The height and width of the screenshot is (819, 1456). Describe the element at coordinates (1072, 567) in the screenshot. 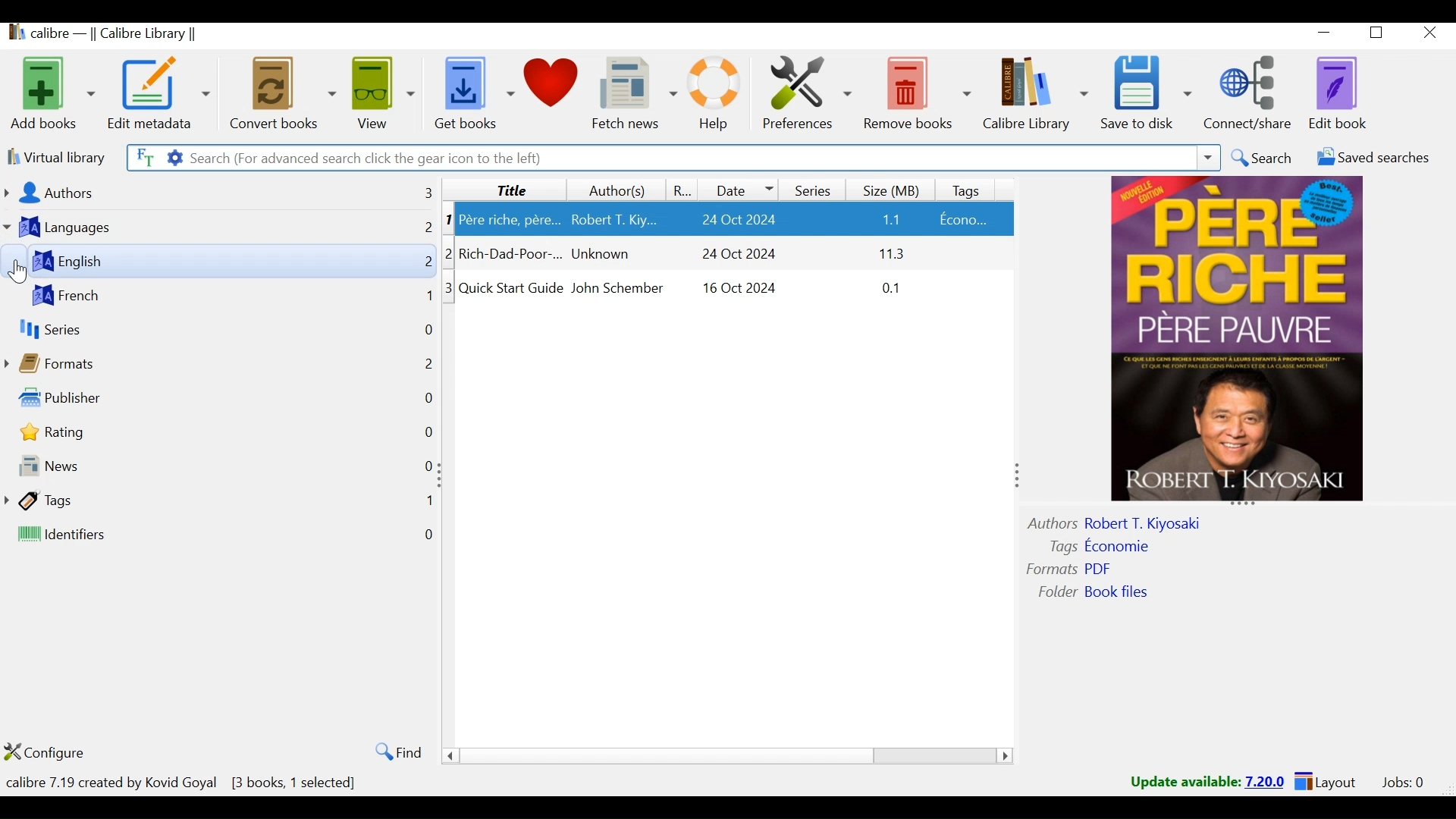

I see `Formats PDF` at that location.